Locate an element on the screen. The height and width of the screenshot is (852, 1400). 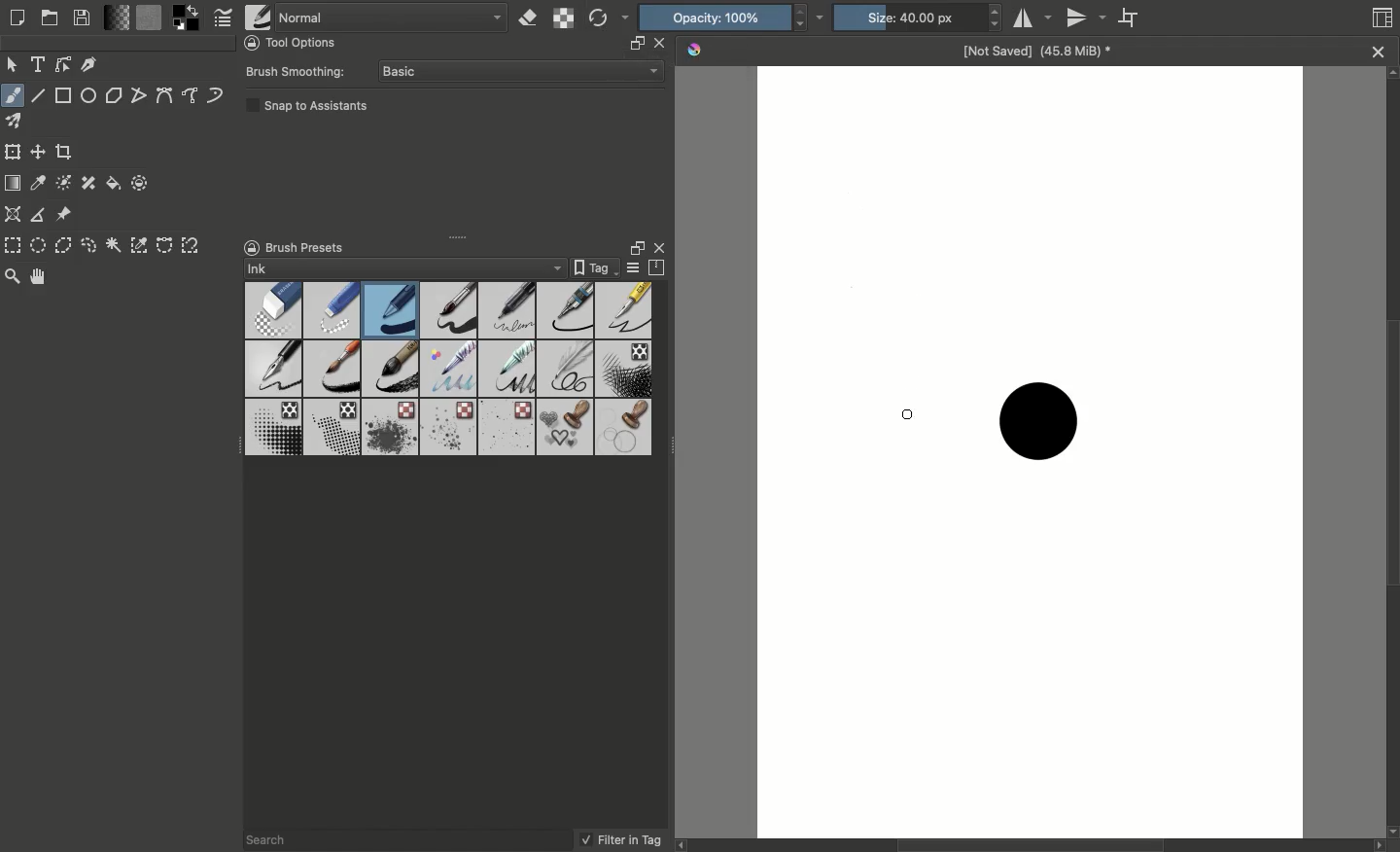
Snap to assistants is located at coordinates (308, 110).